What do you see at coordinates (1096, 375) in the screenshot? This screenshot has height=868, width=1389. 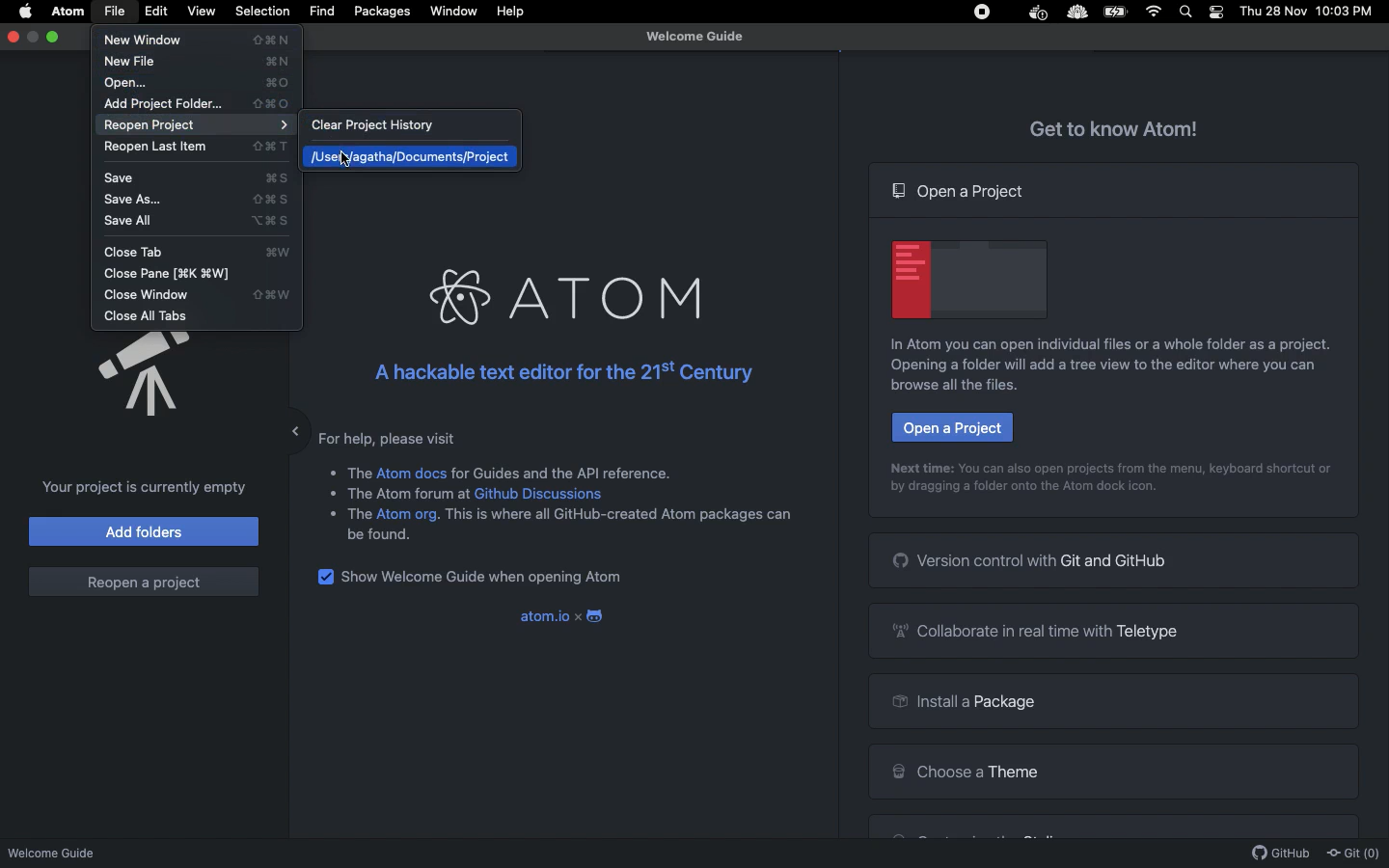 I see `Instructional text` at bounding box center [1096, 375].